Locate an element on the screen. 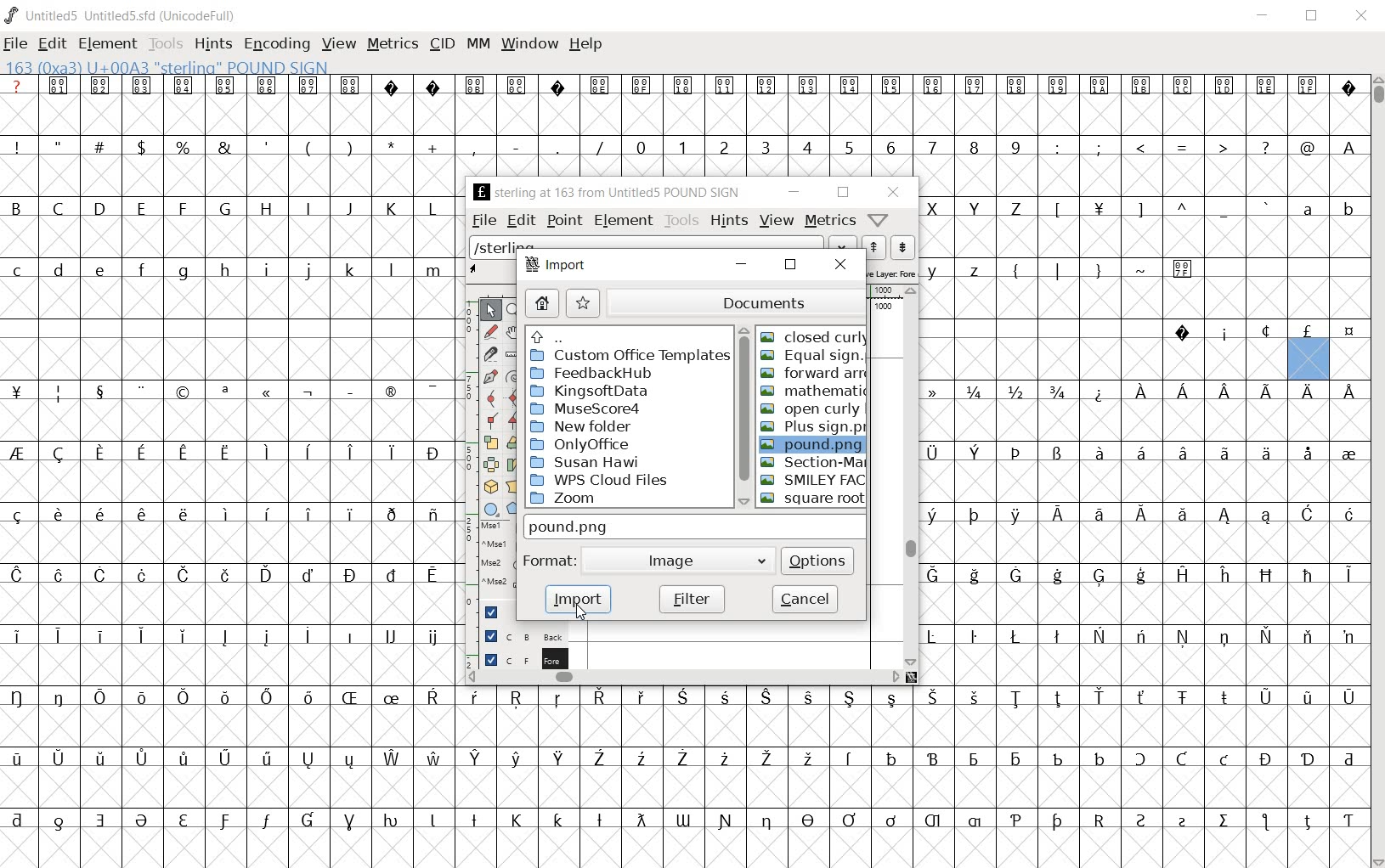 This screenshot has width=1385, height=868. active layer is located at coordinates (490, 270).